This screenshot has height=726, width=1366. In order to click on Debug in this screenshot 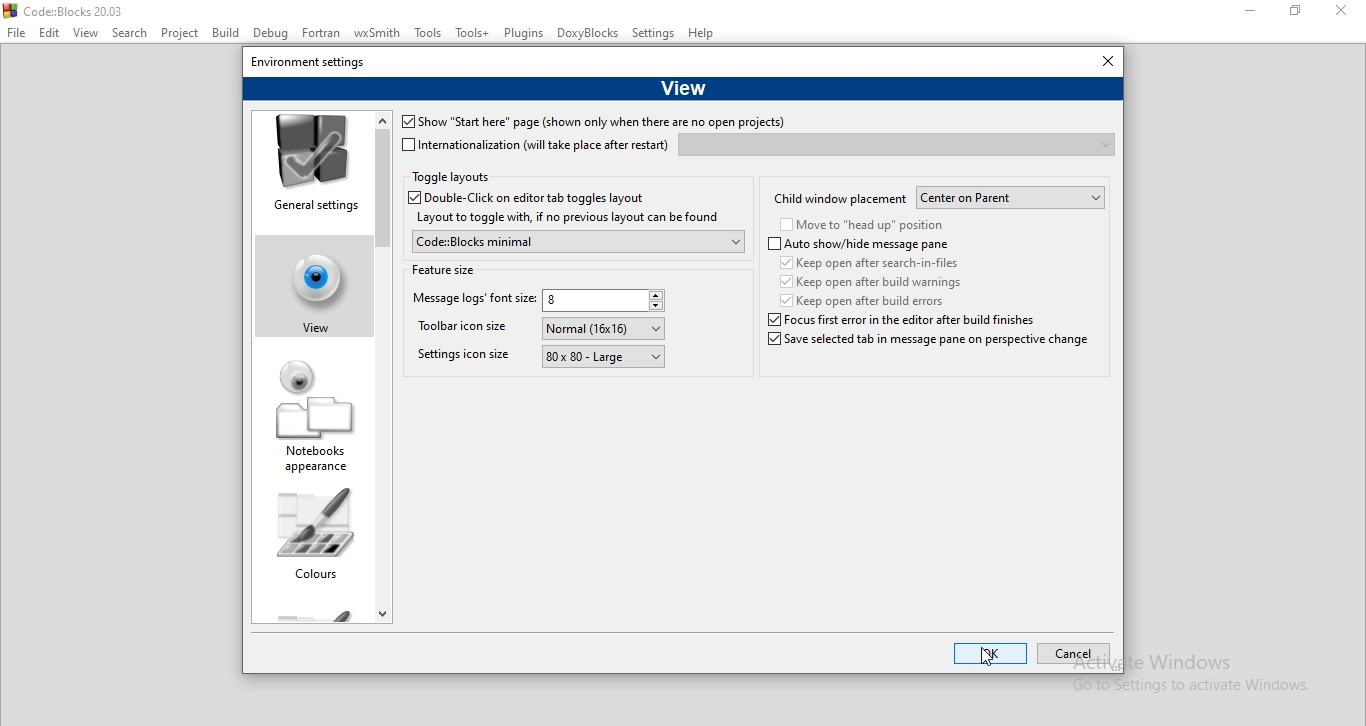, I will do `click(269, 34)`.